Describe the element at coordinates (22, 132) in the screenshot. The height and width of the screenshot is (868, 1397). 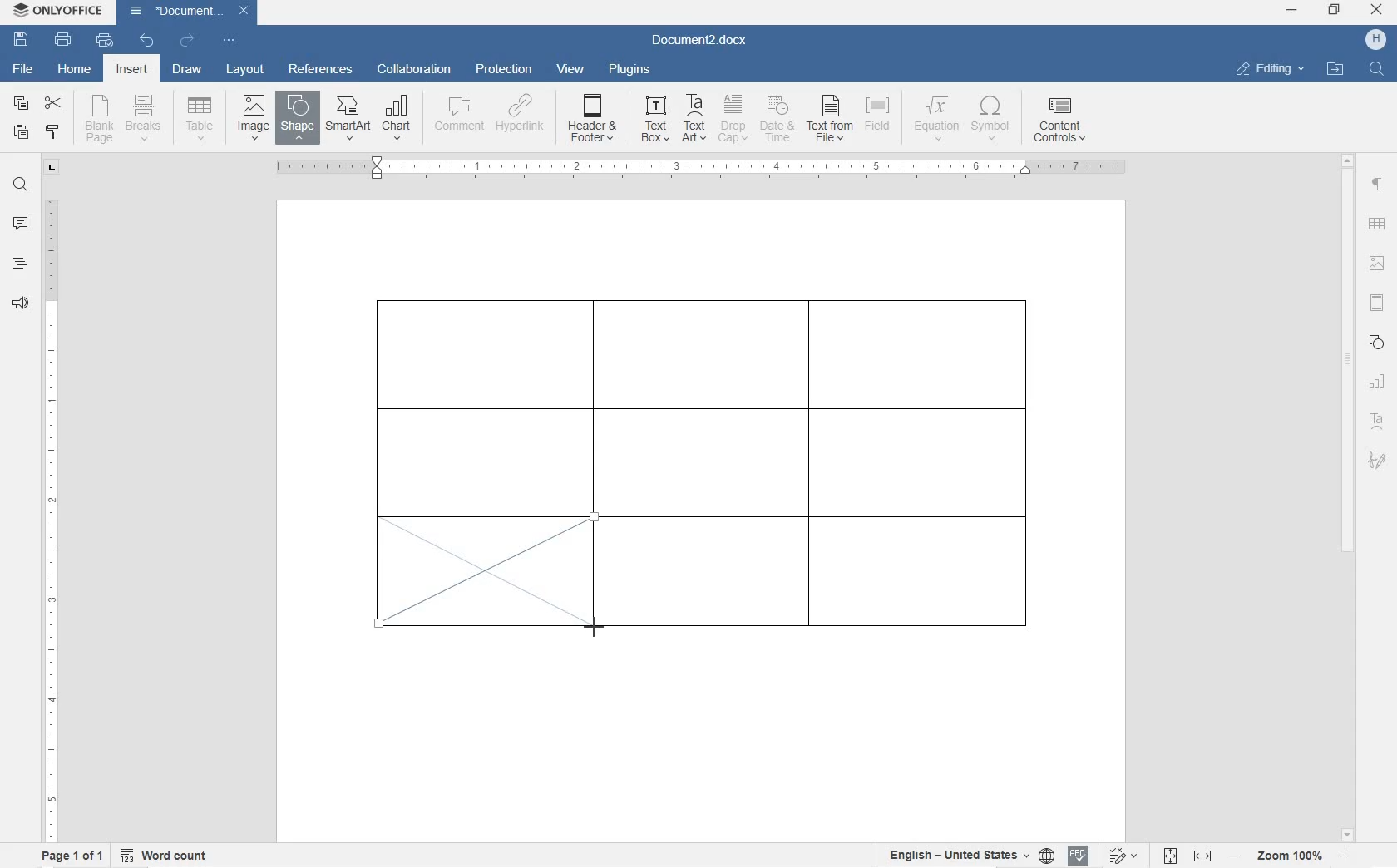
I see `paste` at that location.